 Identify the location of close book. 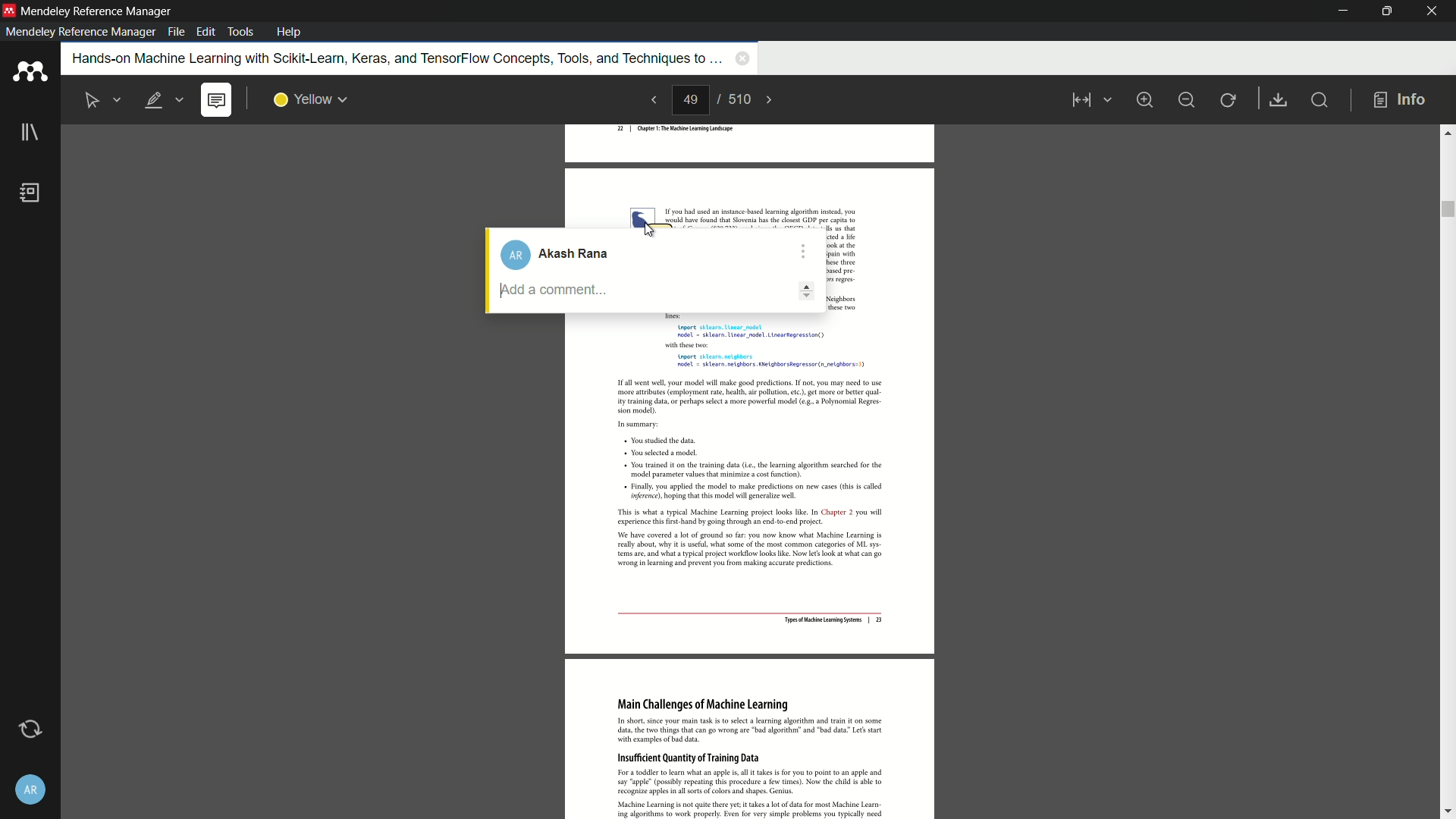
(740, 60).